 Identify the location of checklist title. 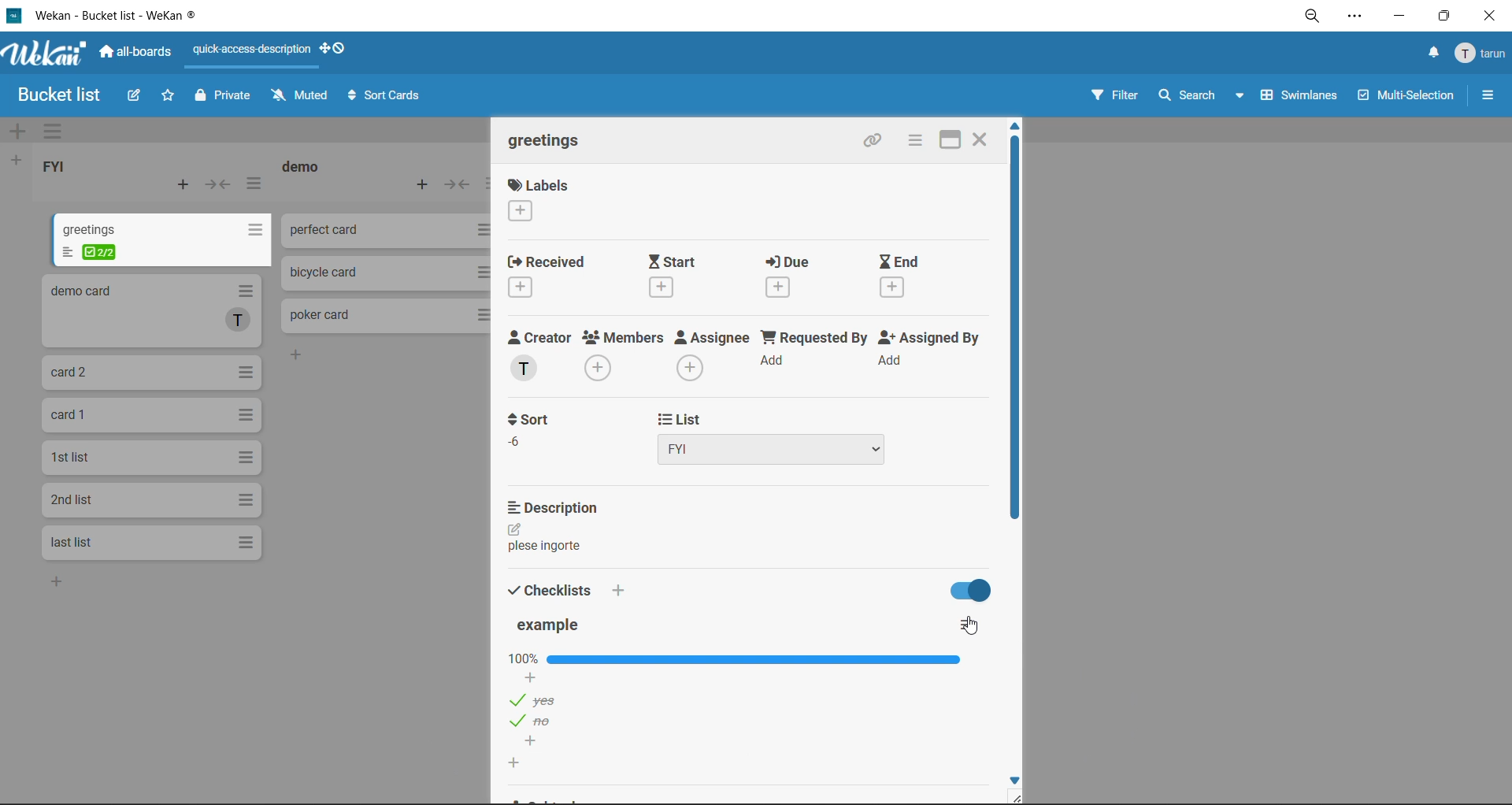
(555, 629).